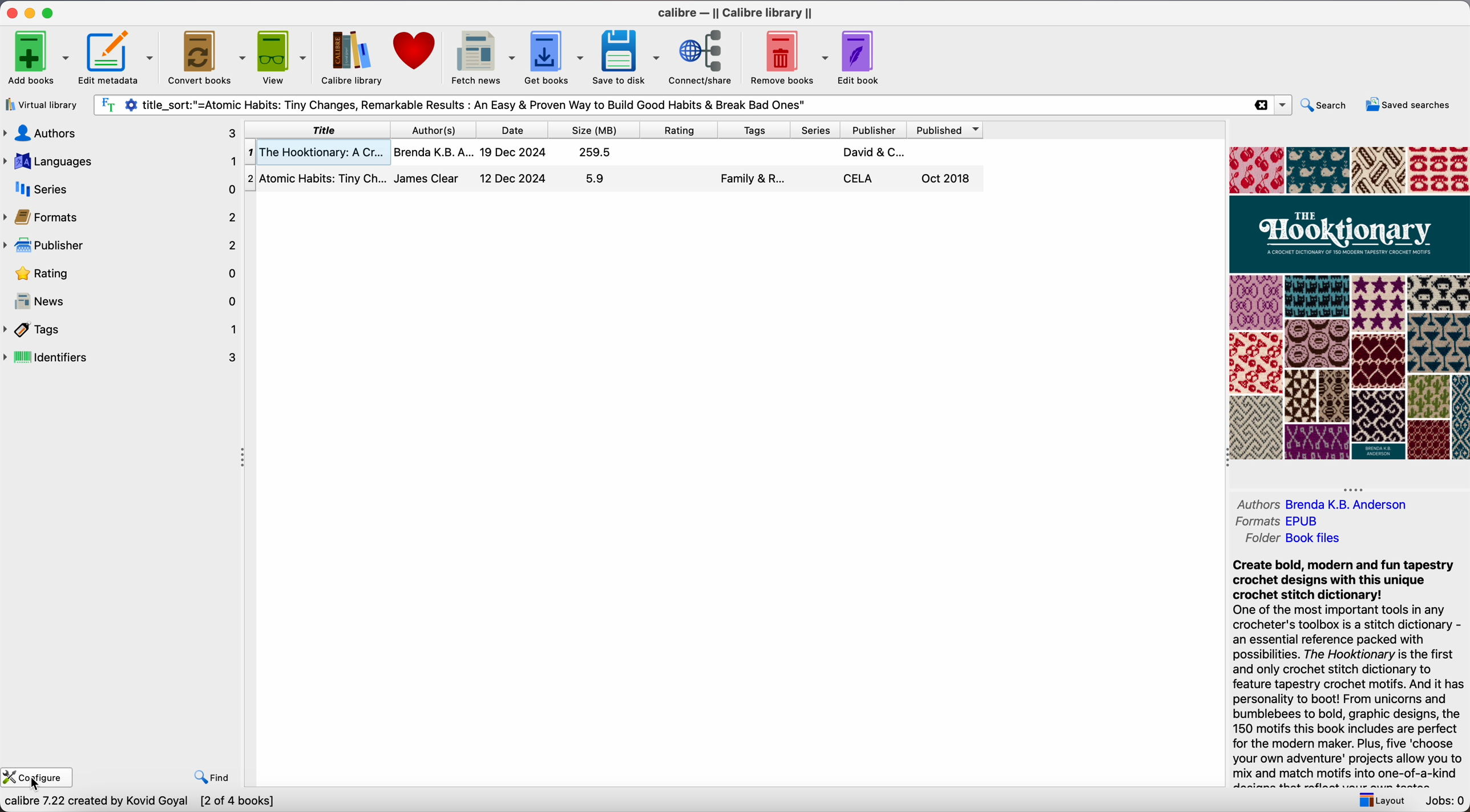  What do you see at coordinates (515, 177) in the screenshot?
I see `12 Dec 2024` at bounding box center [515, 177].